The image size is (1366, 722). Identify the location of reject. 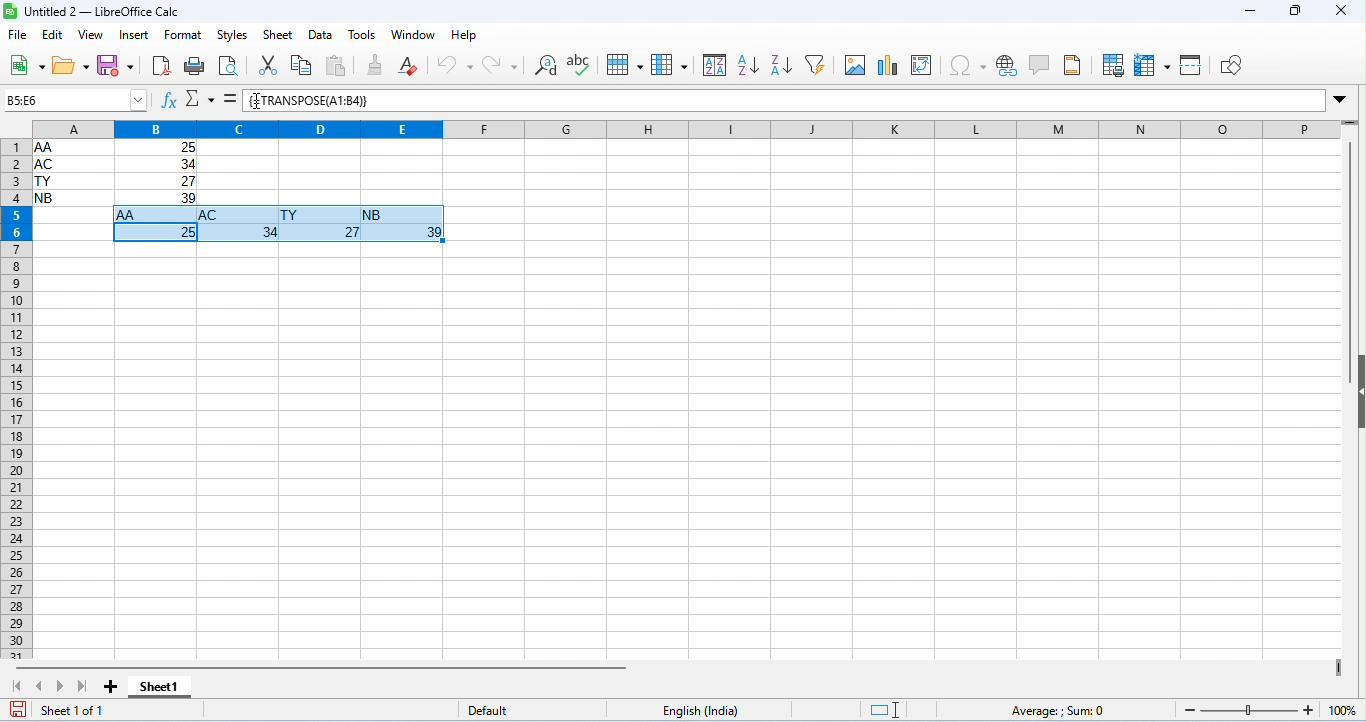
(200, 100).